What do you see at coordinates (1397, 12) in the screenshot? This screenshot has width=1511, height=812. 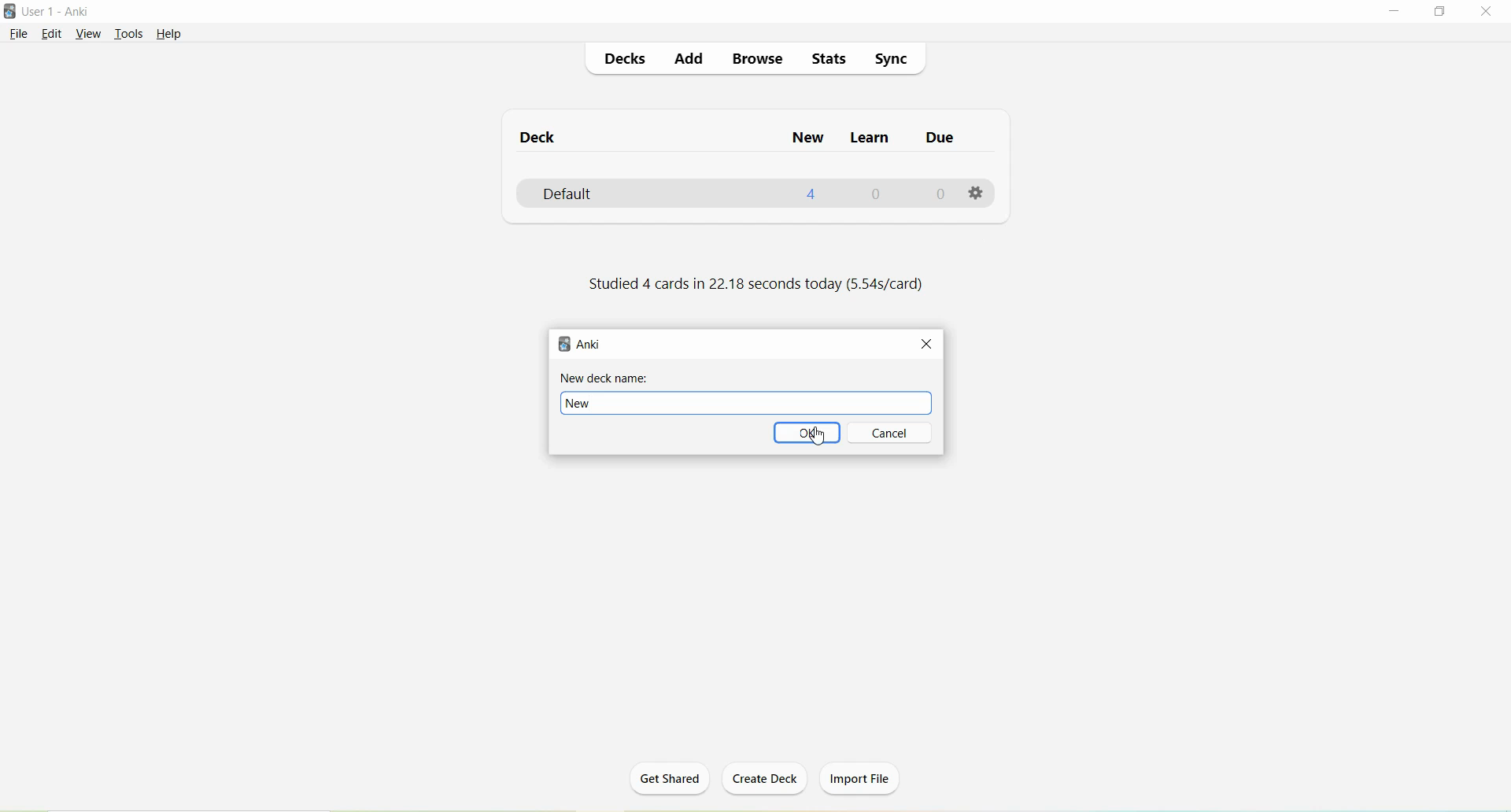 I see `Minimize` at bounding box center [1397, 12].